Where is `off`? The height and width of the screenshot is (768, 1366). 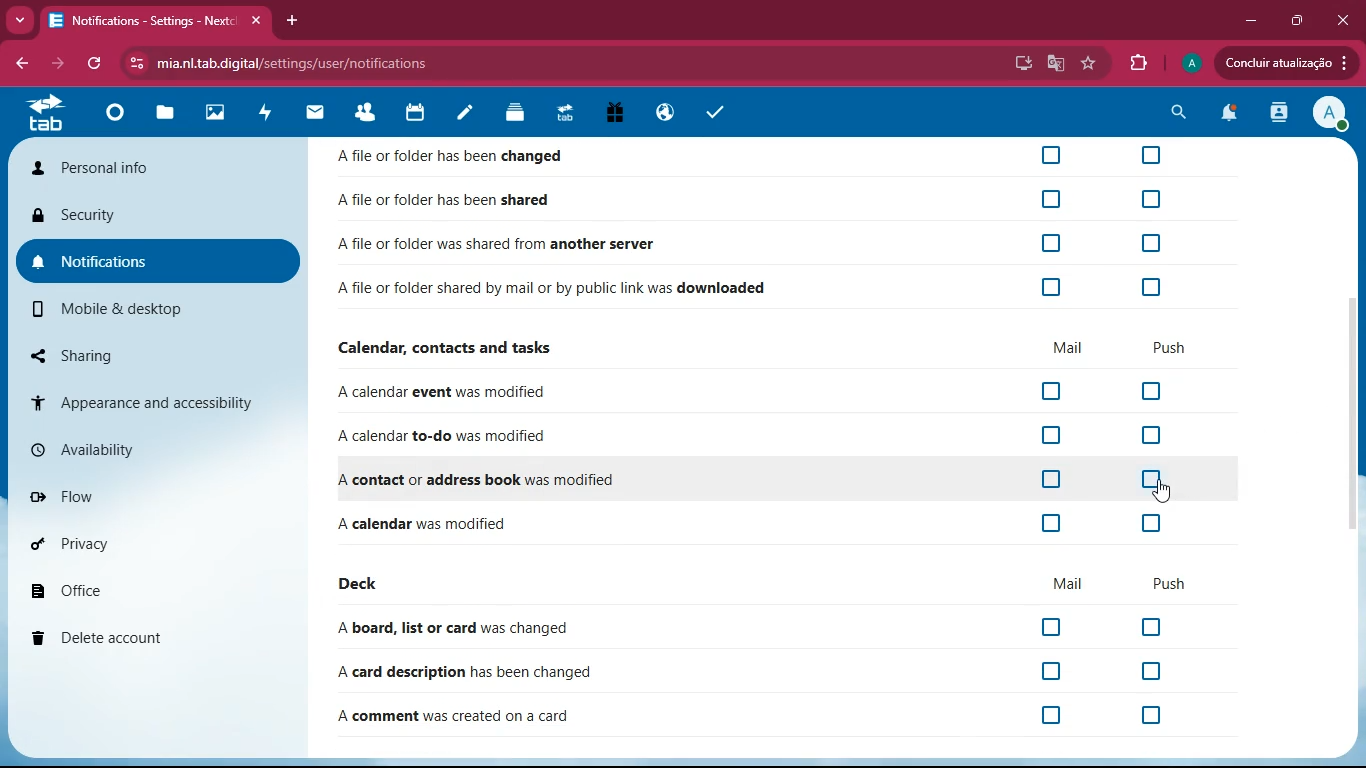
off is located at coordinates (1153, 671).